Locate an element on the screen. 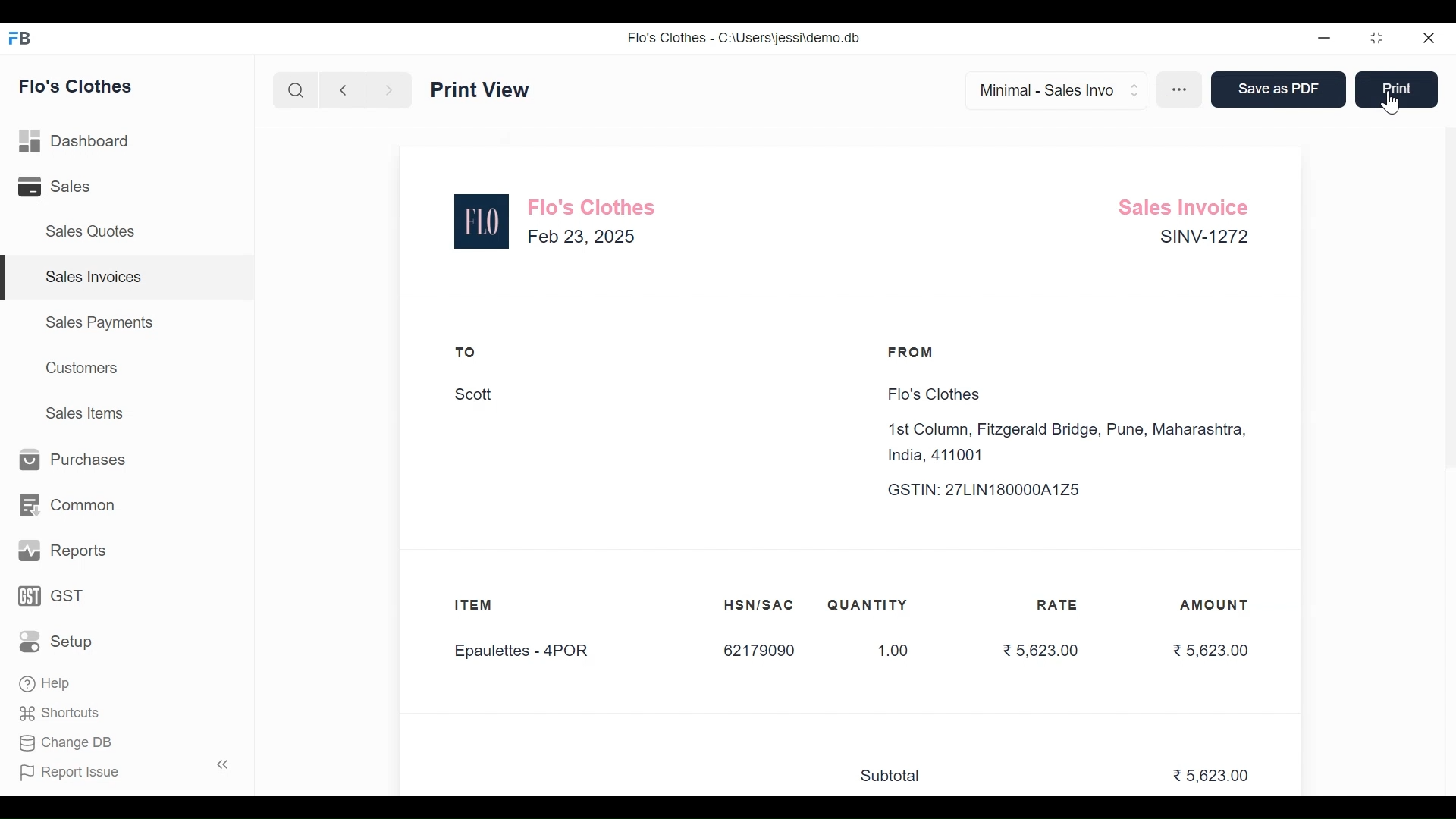 The height and width of the screenshot is (819, 1456). GSTIN: 27LIN180000A1Z5 is located at coordinates (998, 490).